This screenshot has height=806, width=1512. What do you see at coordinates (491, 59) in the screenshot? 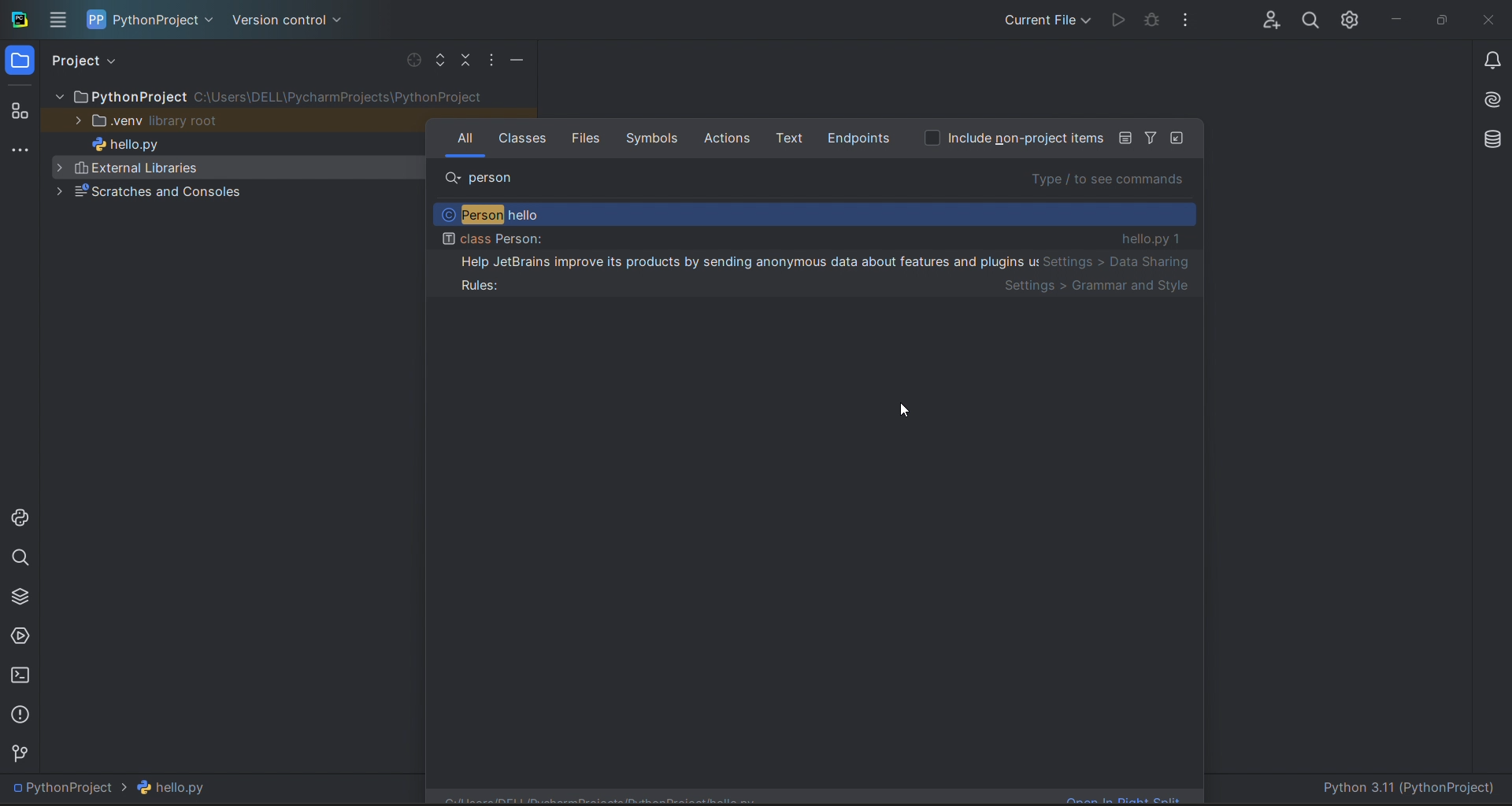
I see `options` at bounding box center [491, 59].